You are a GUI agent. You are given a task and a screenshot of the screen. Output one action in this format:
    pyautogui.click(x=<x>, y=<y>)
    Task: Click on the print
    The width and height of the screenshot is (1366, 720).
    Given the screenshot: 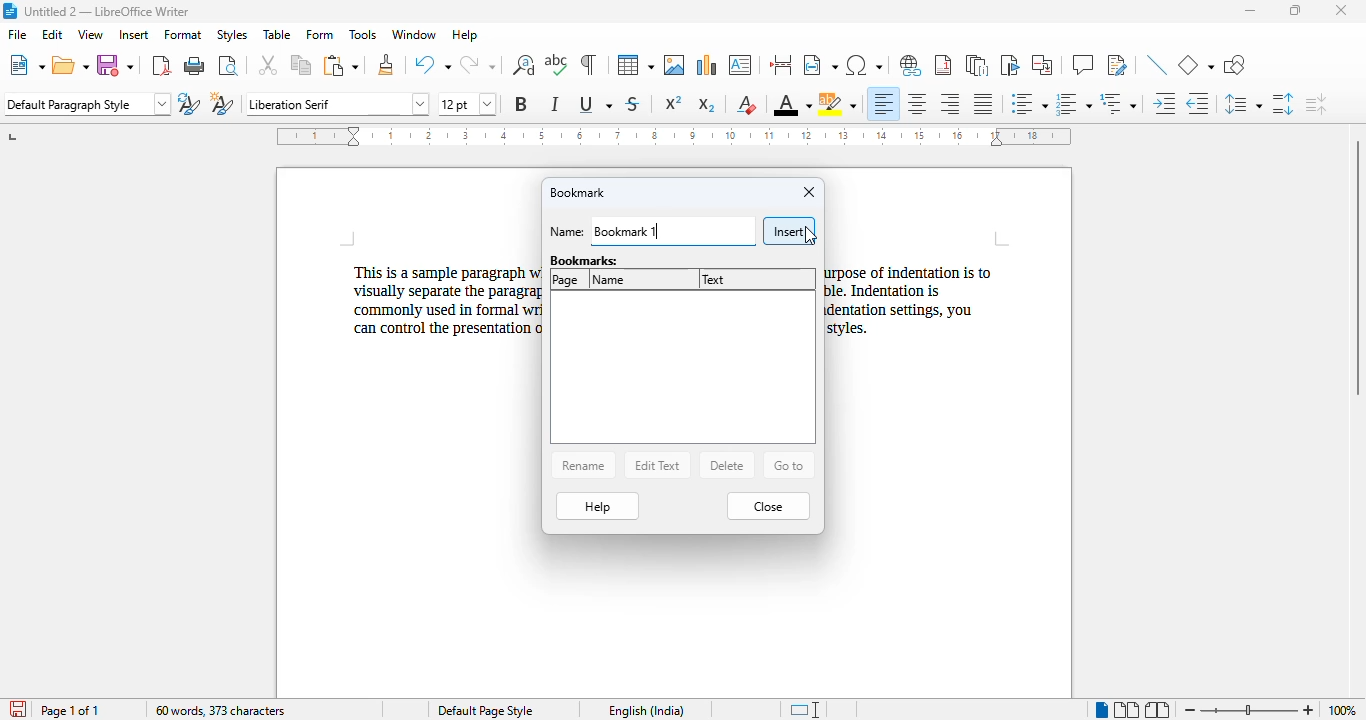 What is the action you would take?
    pyautogui.click(x=195, y=65)
    